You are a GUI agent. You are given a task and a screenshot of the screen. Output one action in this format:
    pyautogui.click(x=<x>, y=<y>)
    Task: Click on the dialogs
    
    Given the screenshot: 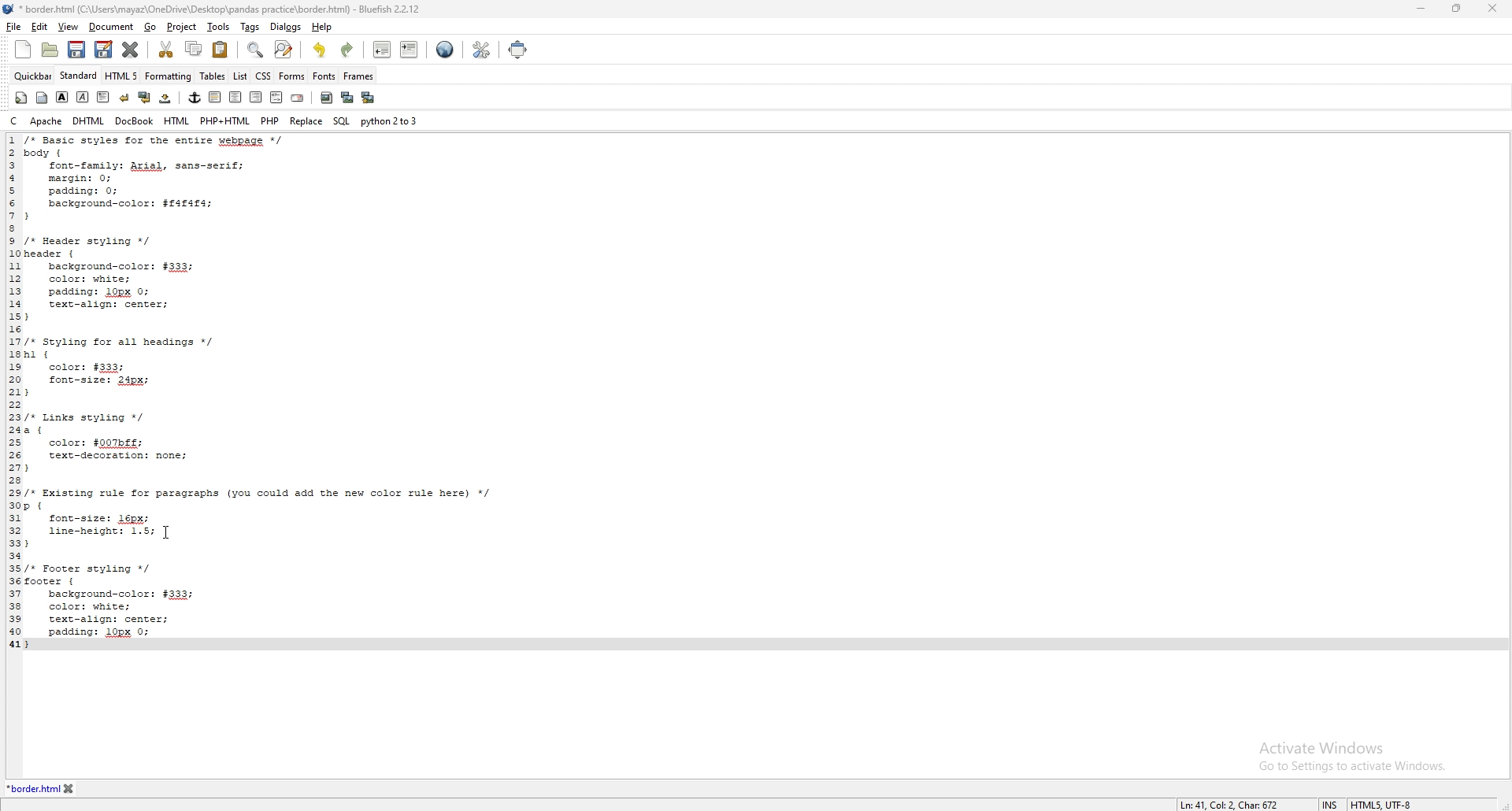 What is the action you would take?
    pyautogui.click(x=285, y=27)
    